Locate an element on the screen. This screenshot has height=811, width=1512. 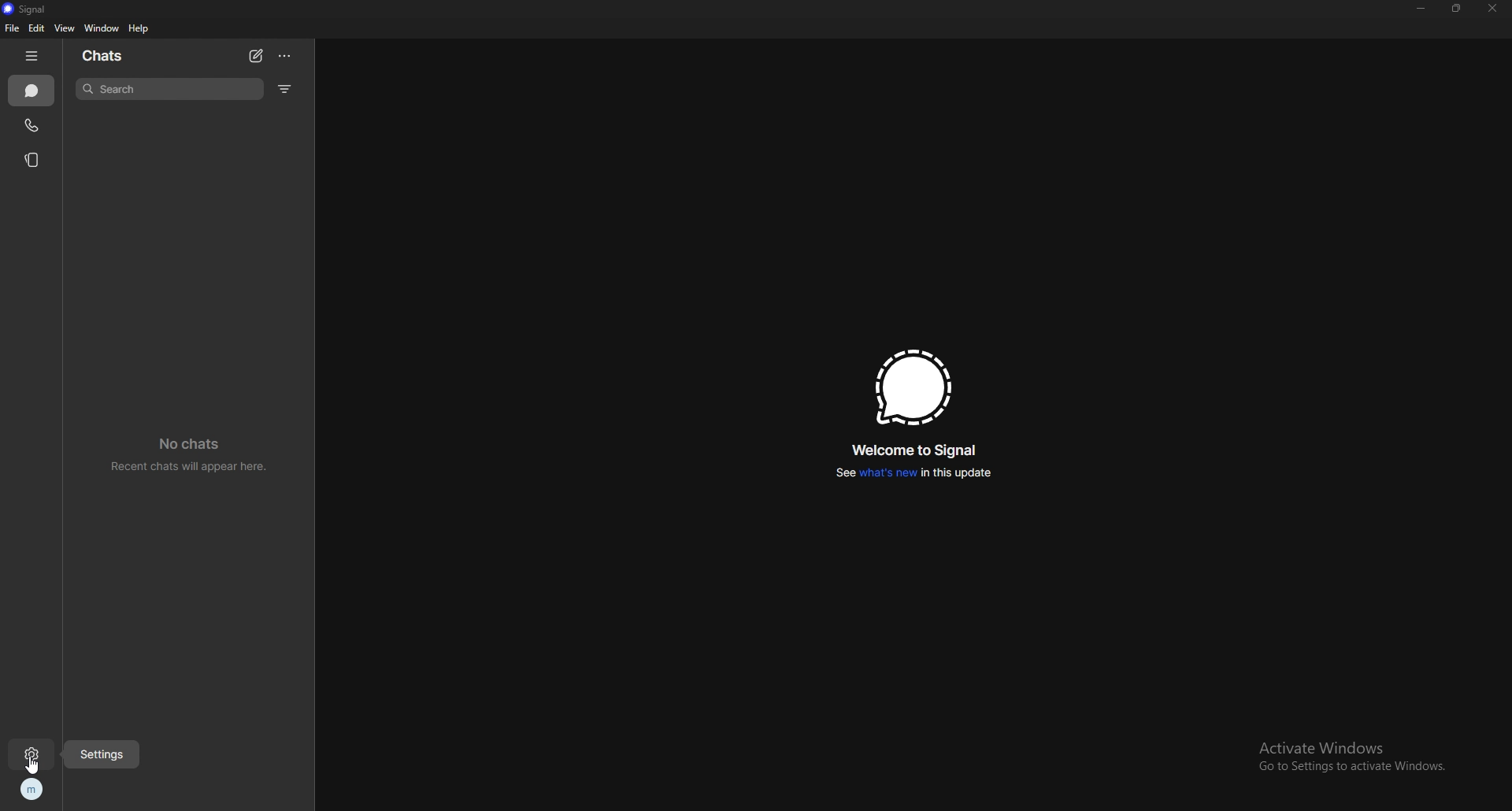
search is located at coordinates (169, 89).